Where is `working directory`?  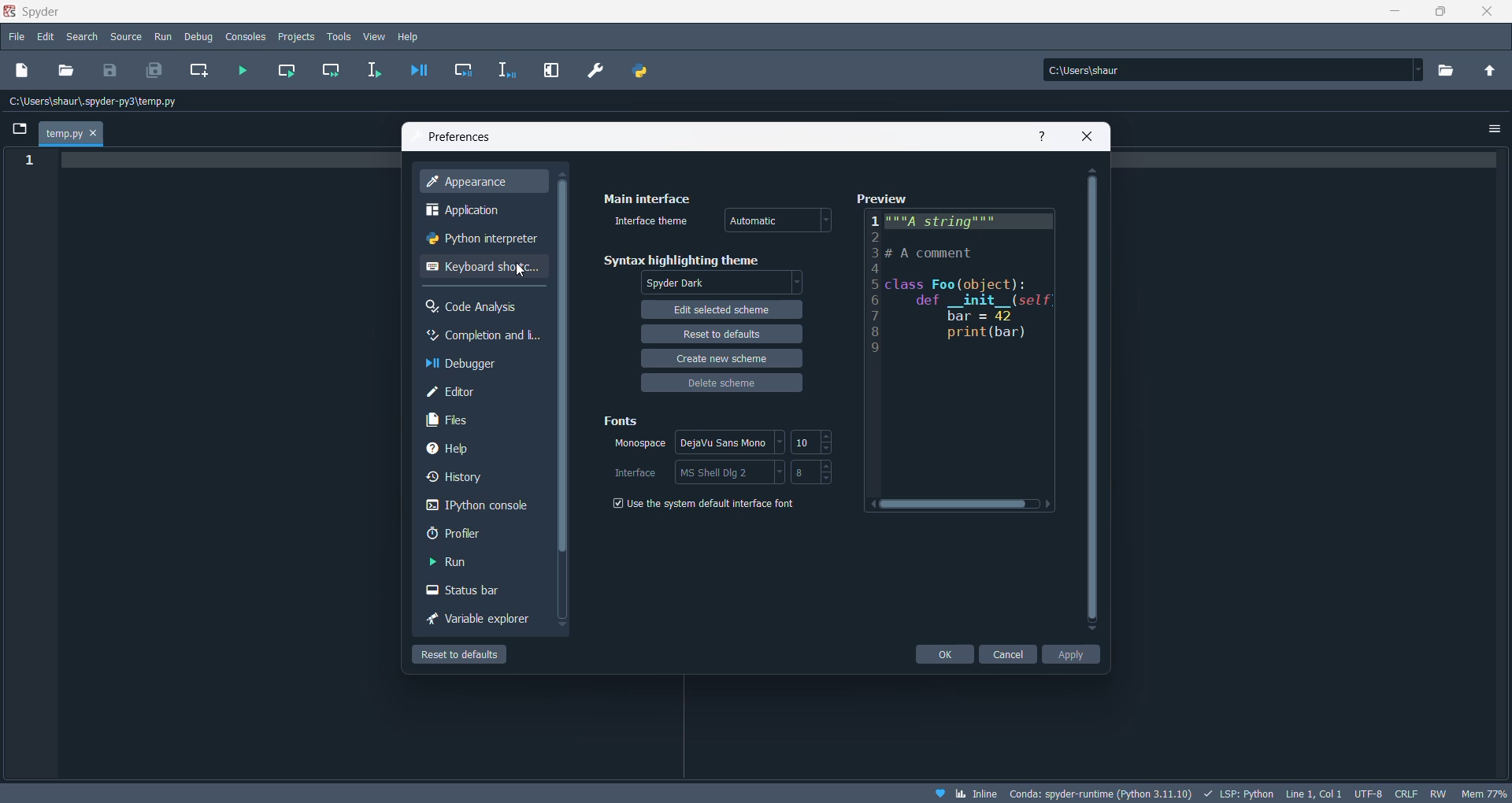
working directory is located at coordinates (1451, 71).